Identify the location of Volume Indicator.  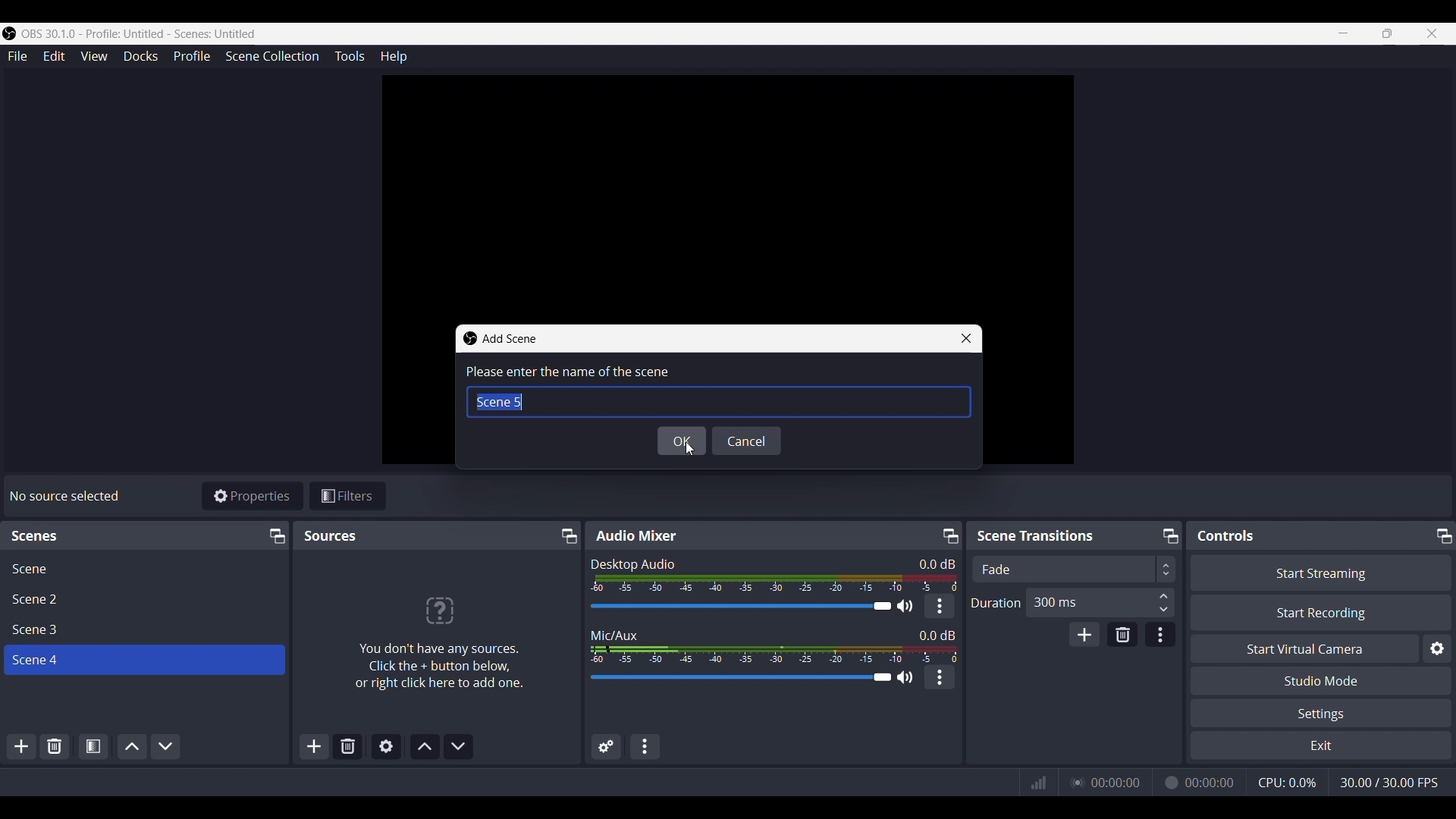
(773, 652).